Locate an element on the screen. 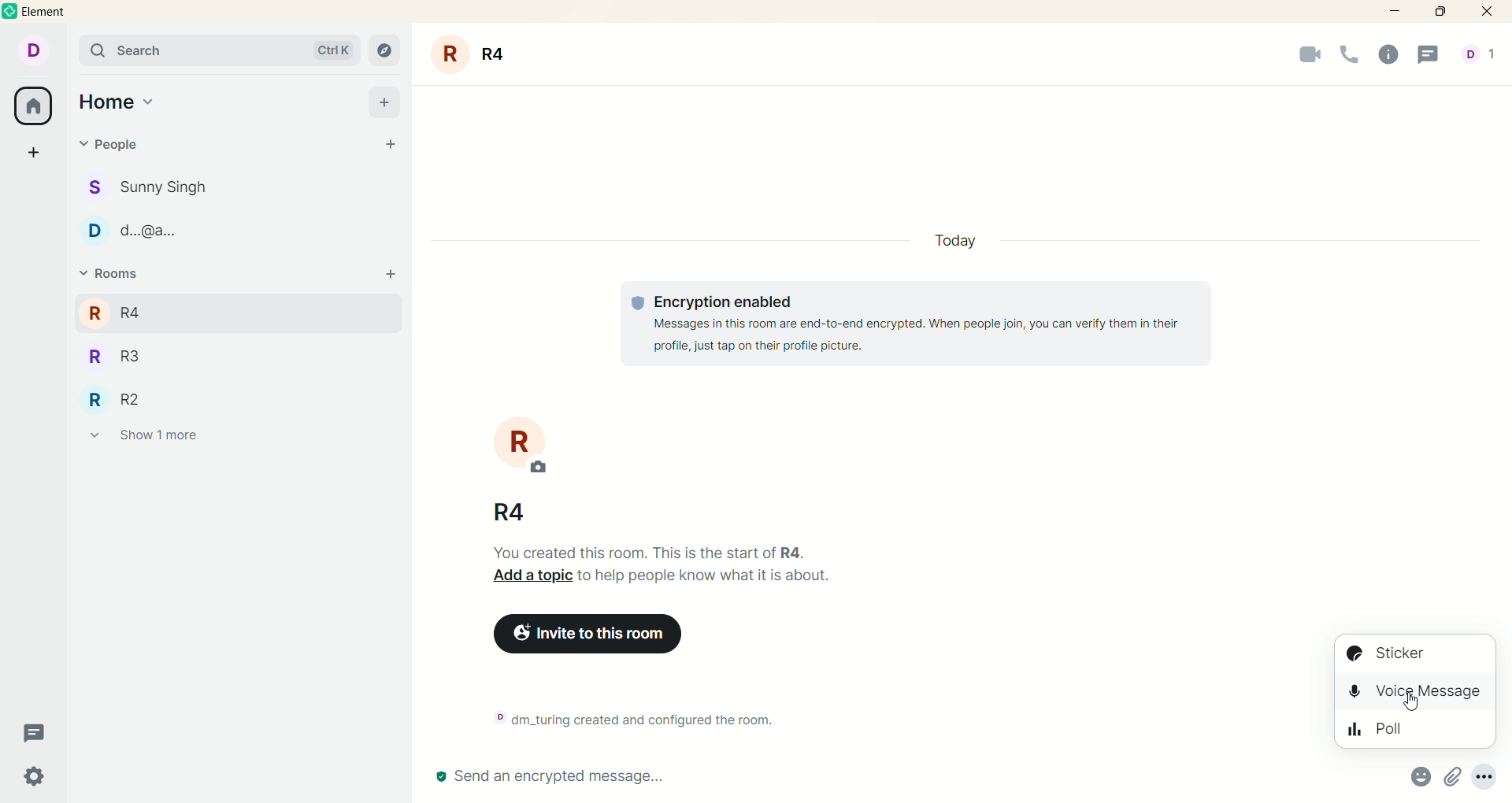 This screenshot has height=803, width=1512. voice call is located at coordinates (1350, 56).